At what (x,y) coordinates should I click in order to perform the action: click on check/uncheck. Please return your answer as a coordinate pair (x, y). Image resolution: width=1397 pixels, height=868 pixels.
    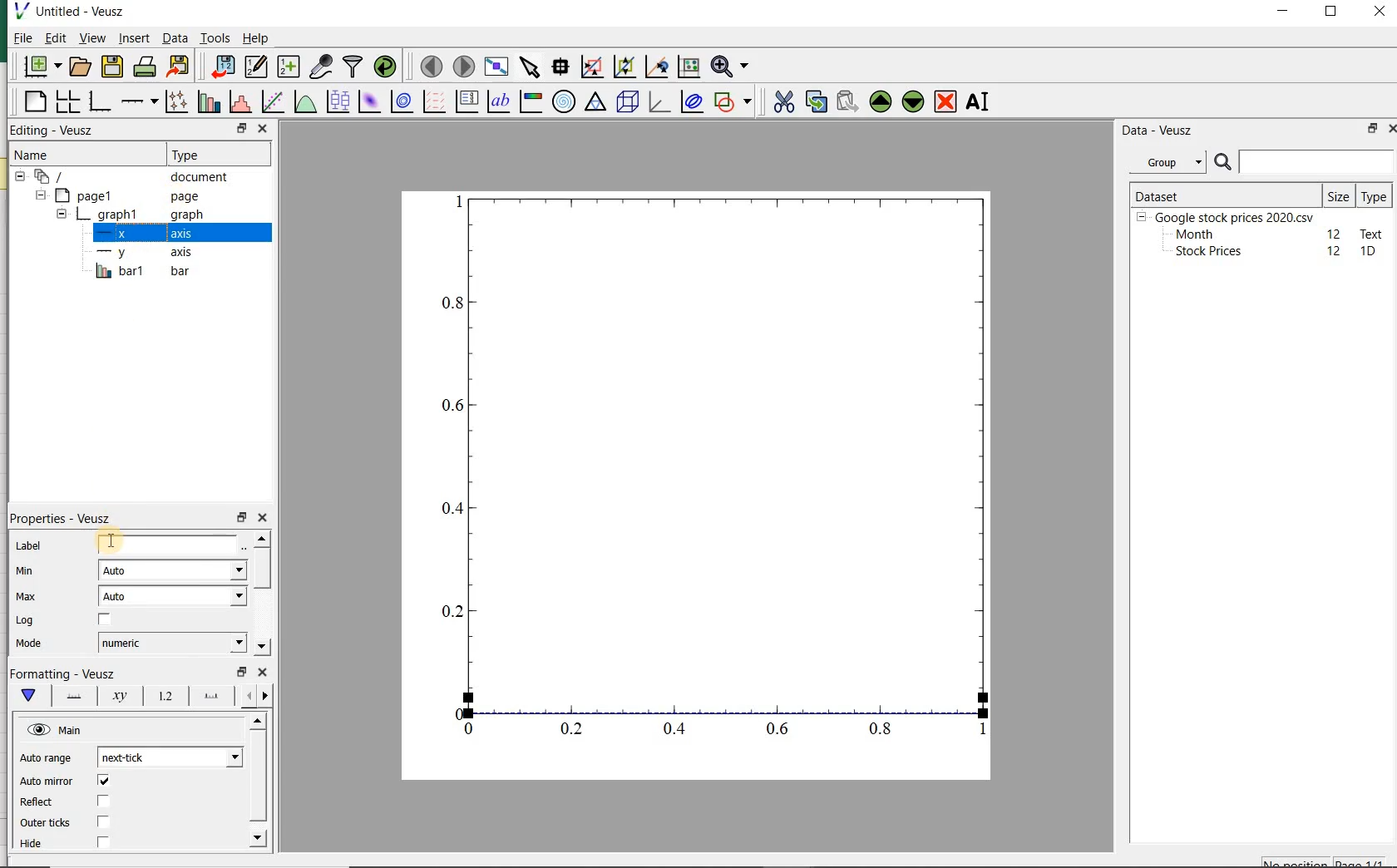
    Looking at the image, I should click on (103, 782).